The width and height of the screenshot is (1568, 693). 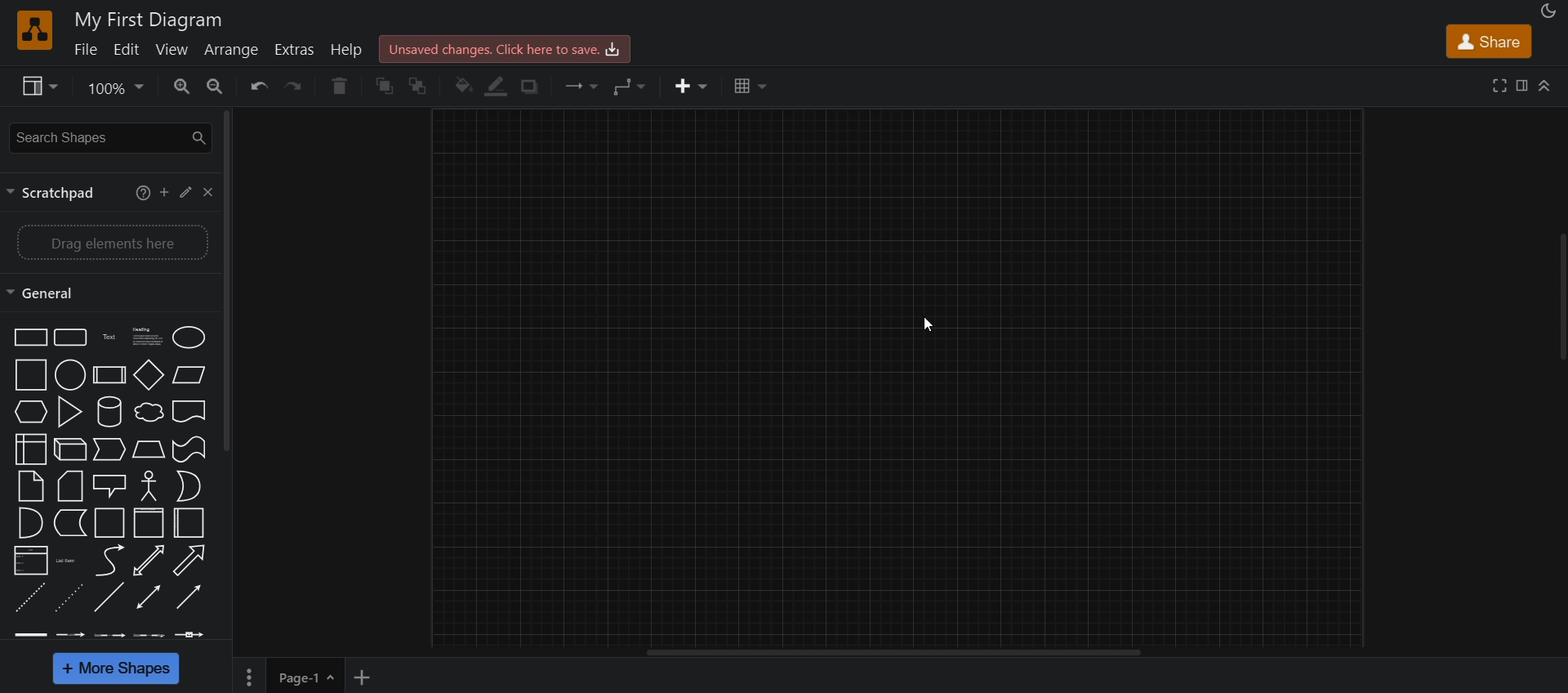 What do you see at coordinates (255, 87) in the screenshot?
I see `undo` at bounding box center [255, 87].